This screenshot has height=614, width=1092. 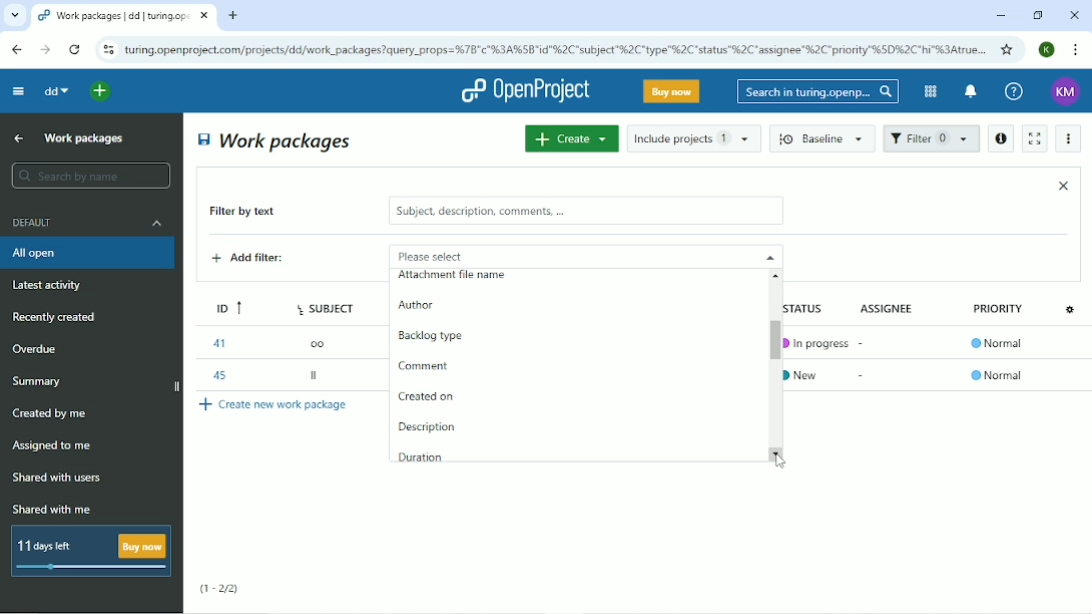 What do you see at coordinates (89, 222) in the screenshot?
I see `Default` at bounding box center [89, 222].